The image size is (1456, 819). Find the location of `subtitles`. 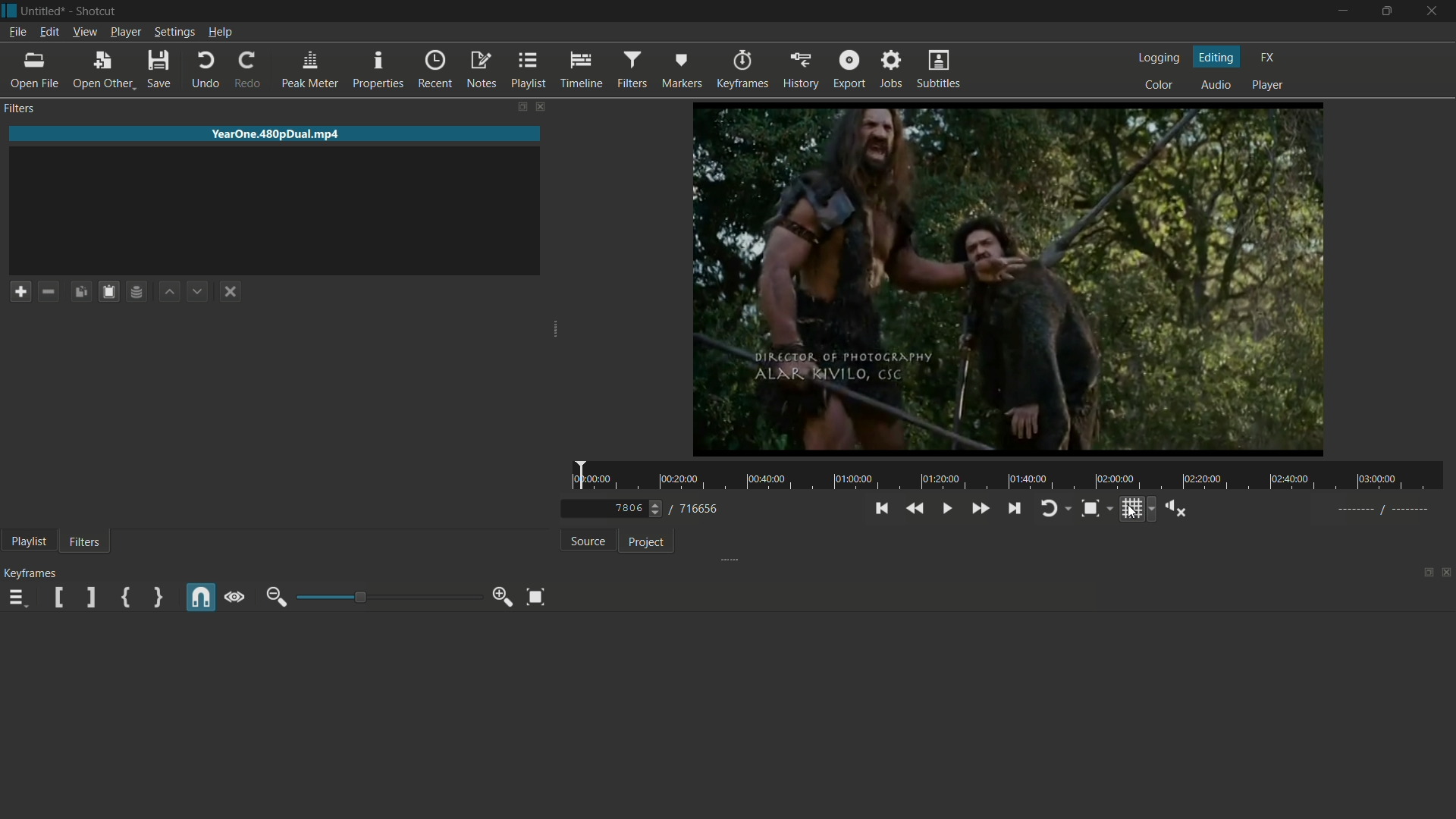

subtitles is located at coordinates (940, 69).